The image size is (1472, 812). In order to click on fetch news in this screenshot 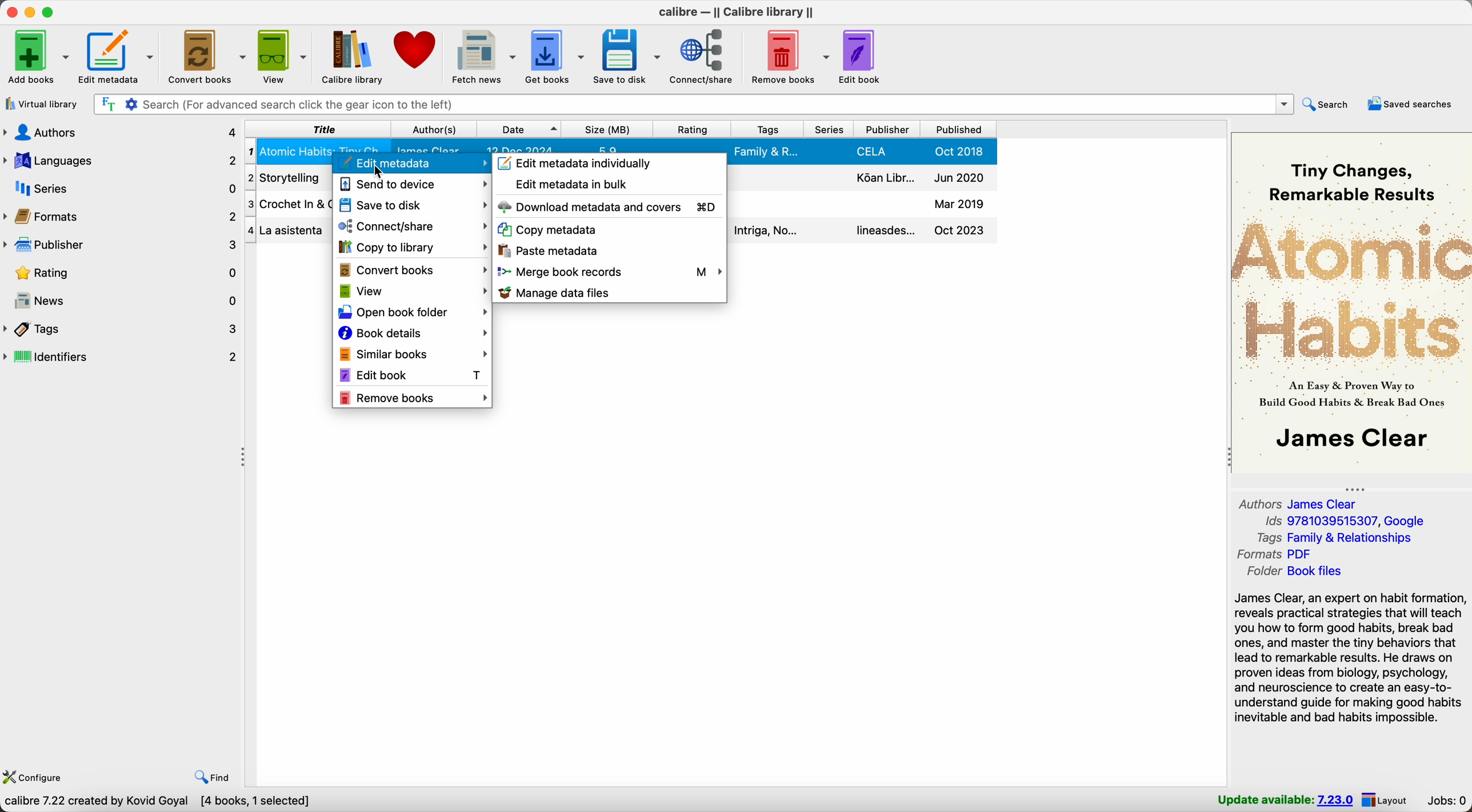, I will do `click(485, 55)`.